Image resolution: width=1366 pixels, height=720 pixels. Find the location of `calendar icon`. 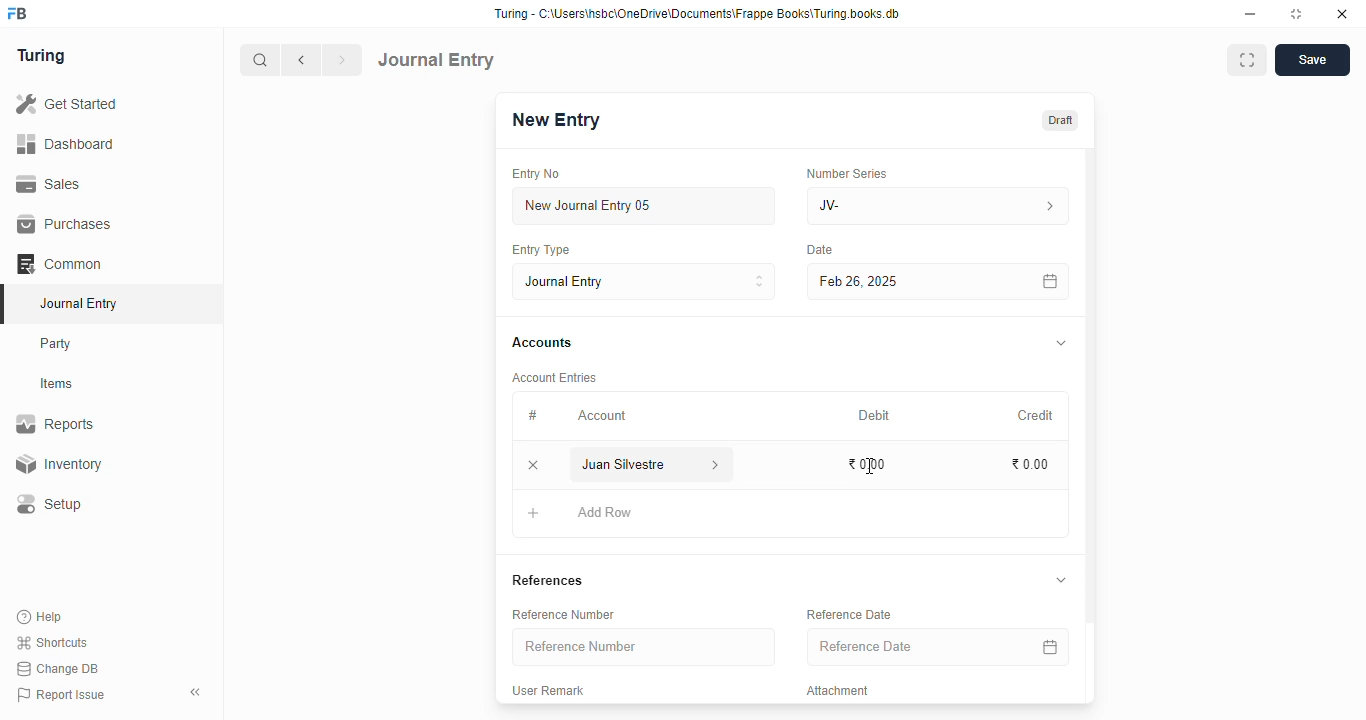

calendar icon is located at coordinates (1049, 281).